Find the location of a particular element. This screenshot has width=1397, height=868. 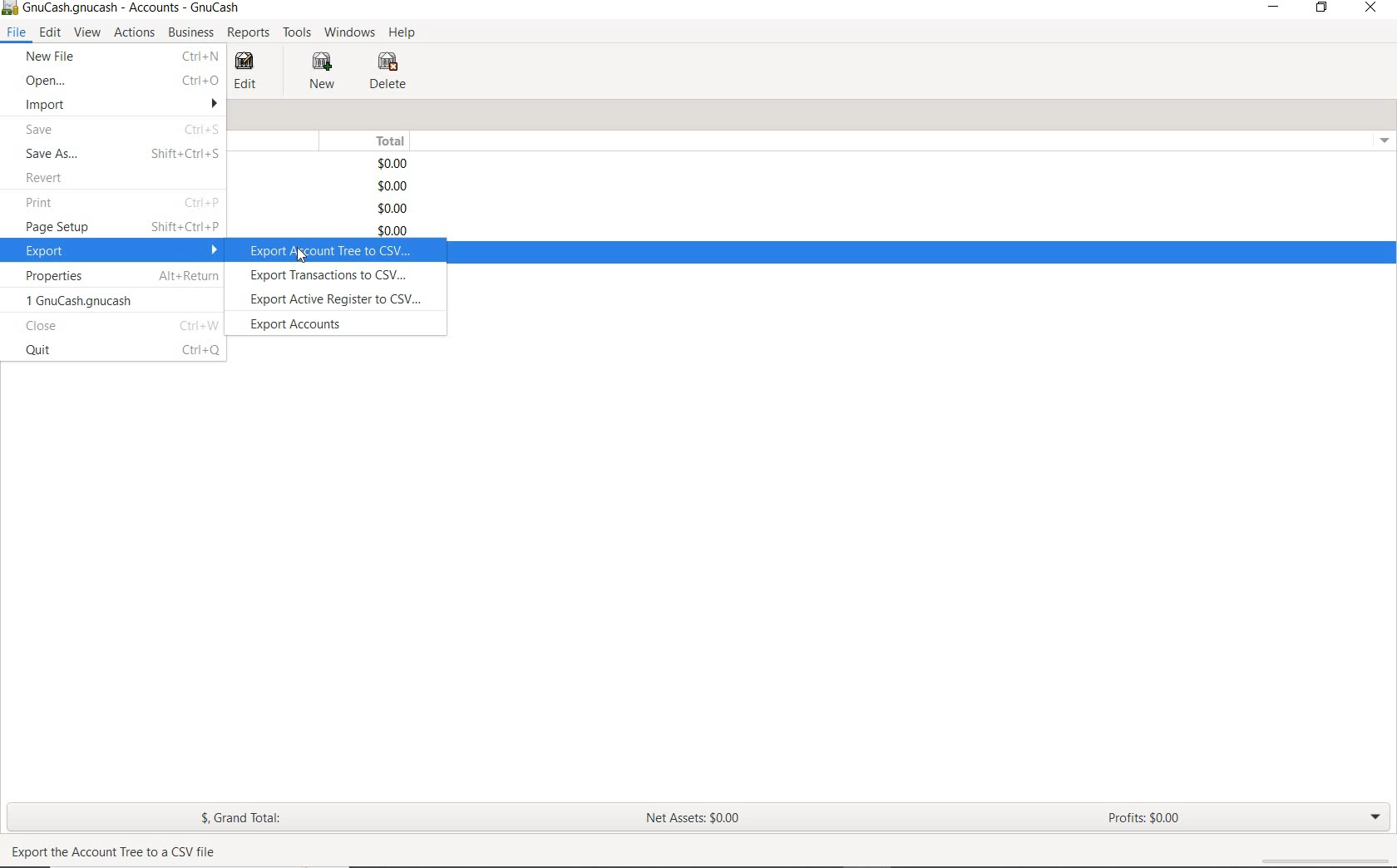

CLOSE is located at coordinates (1371, 8).